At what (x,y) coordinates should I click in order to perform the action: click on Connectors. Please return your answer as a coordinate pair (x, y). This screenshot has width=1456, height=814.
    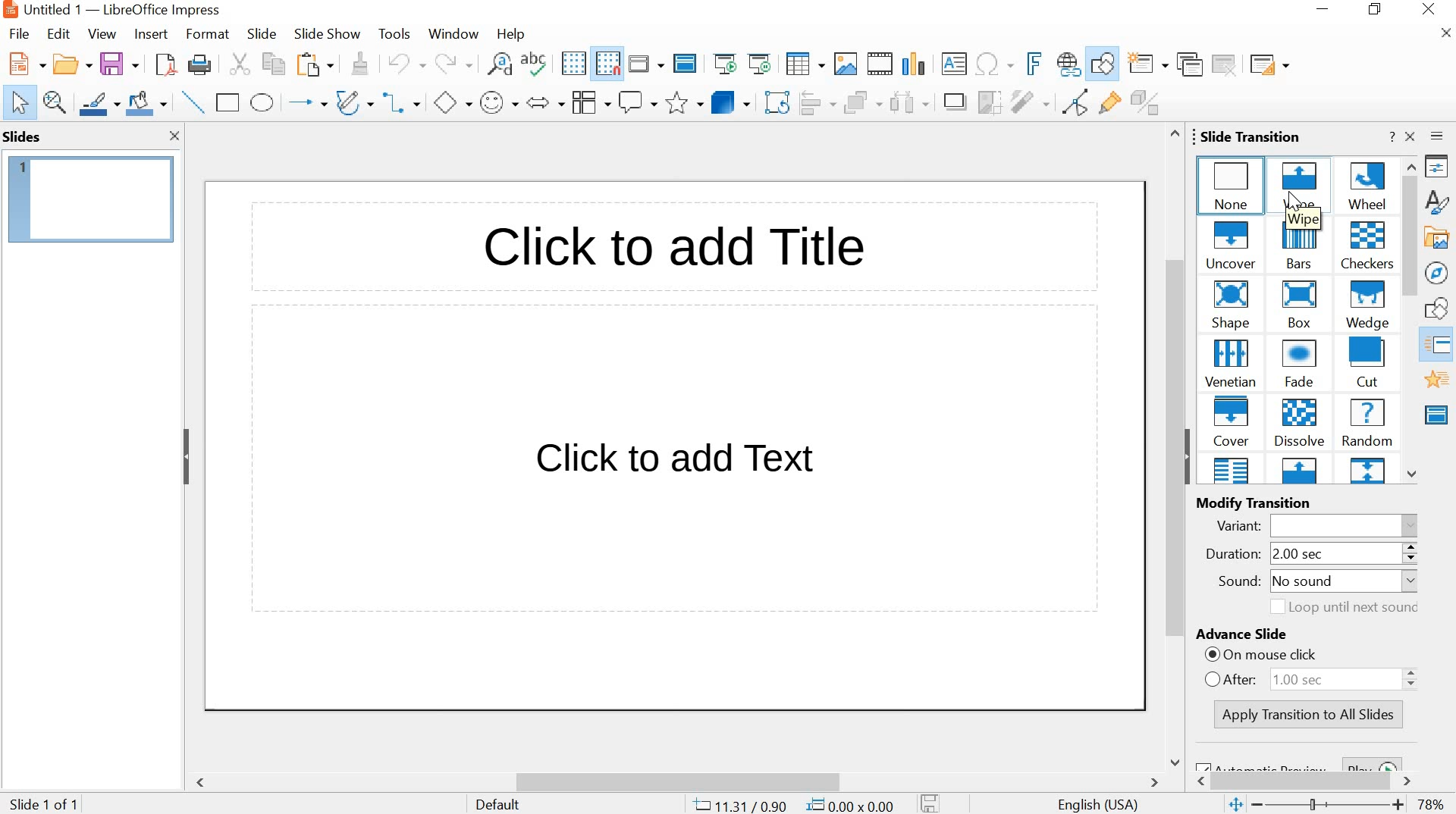
    Looking at the image, I should click on (405, 101).